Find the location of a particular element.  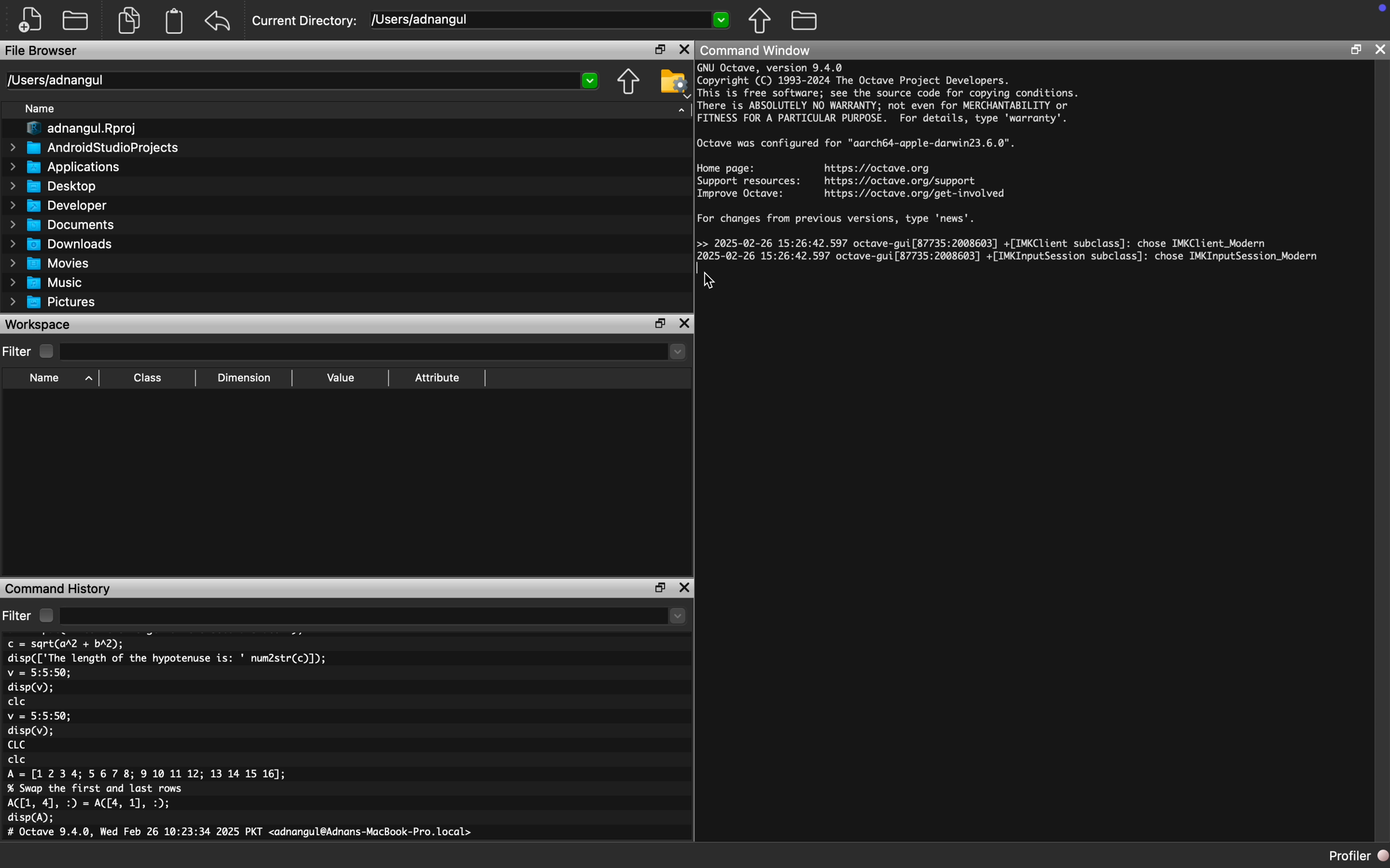

Desktop is located at coordinates (53, 186).